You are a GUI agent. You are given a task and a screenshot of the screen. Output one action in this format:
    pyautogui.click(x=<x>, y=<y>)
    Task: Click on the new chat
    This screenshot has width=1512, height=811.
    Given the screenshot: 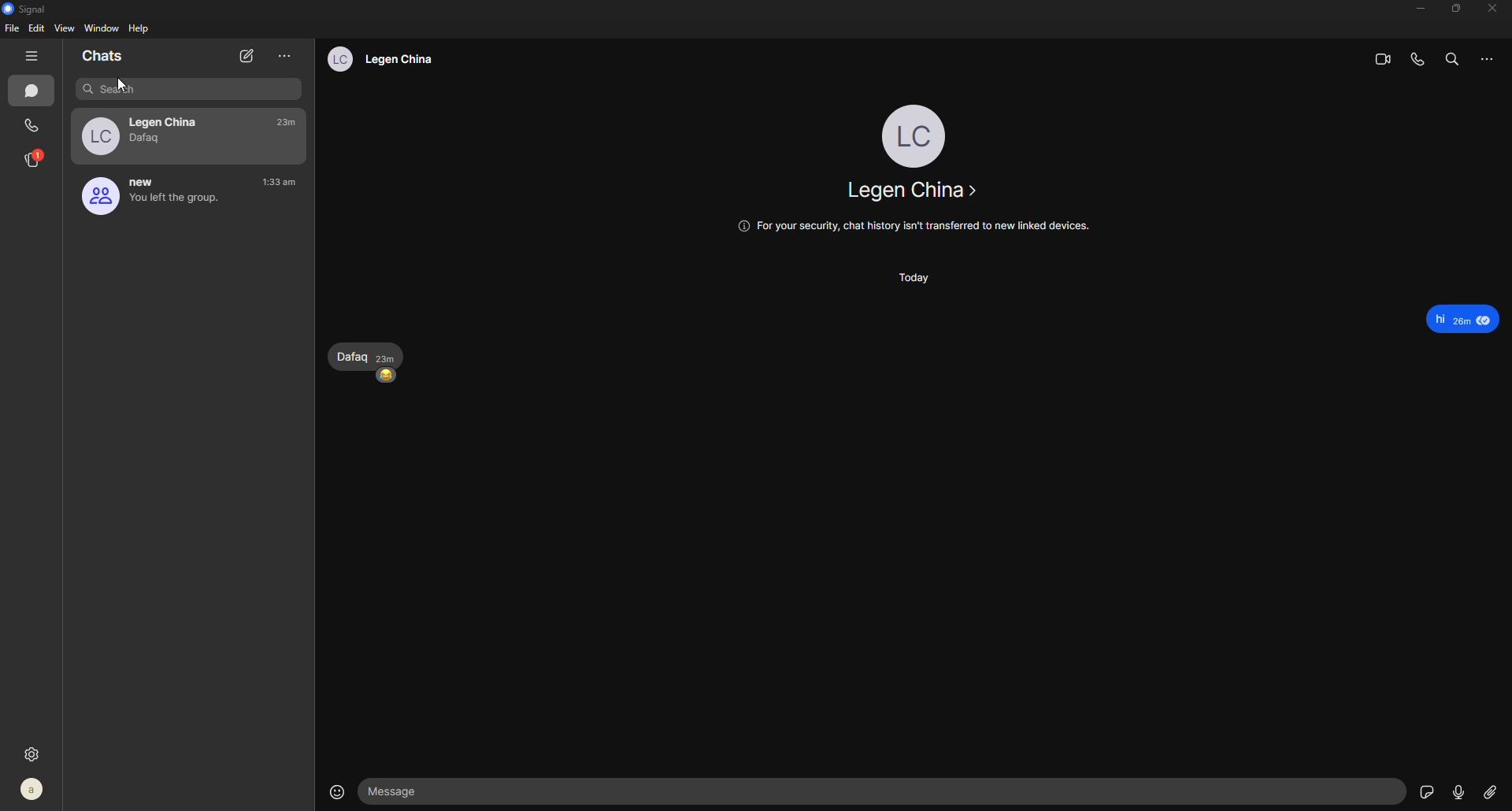 What is the action you would take?
    pyautogui.click(x=247, y=57)
    